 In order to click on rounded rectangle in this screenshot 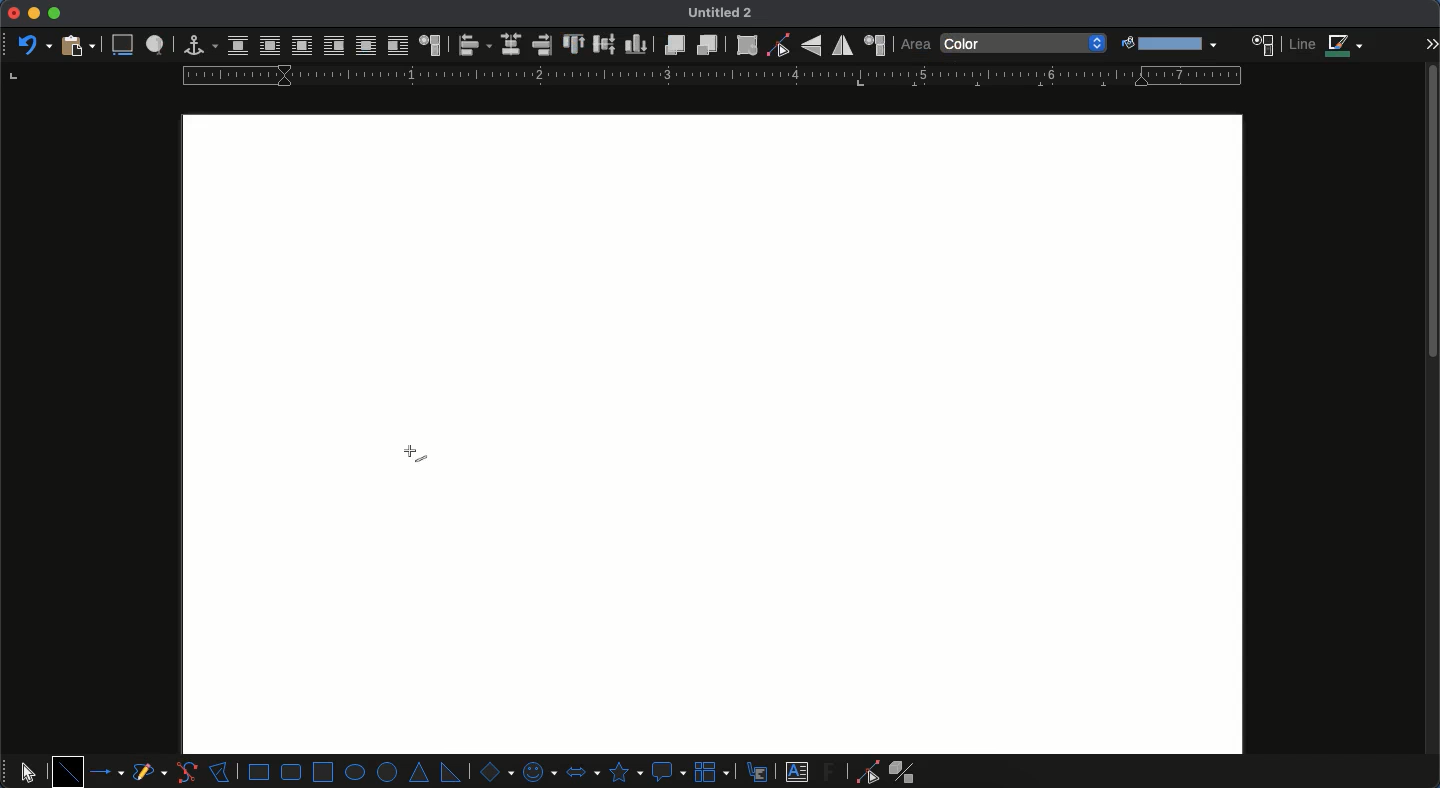, I will do `click(292, 772)`.